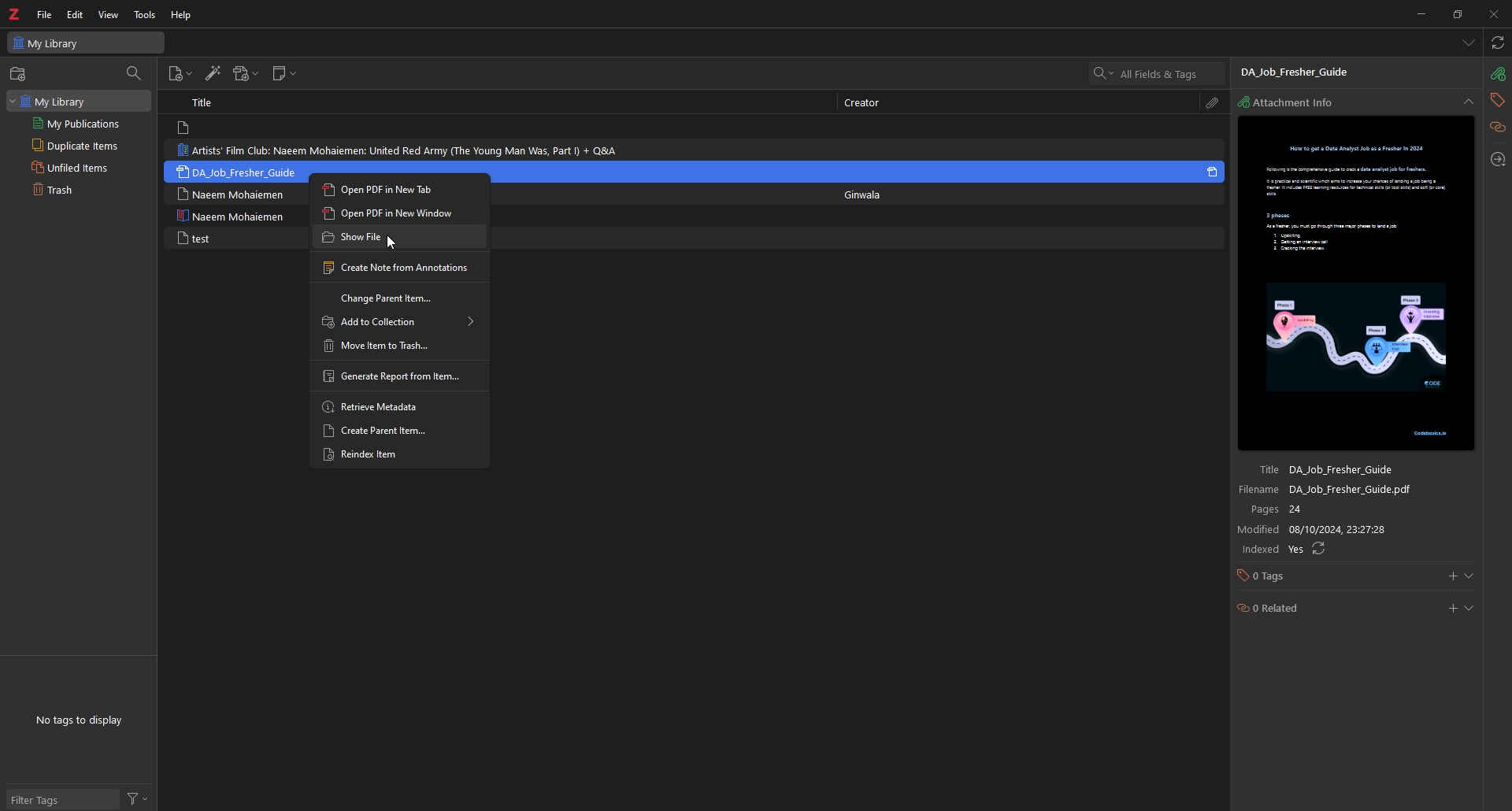  I want to click on title, so click(1344, 468).